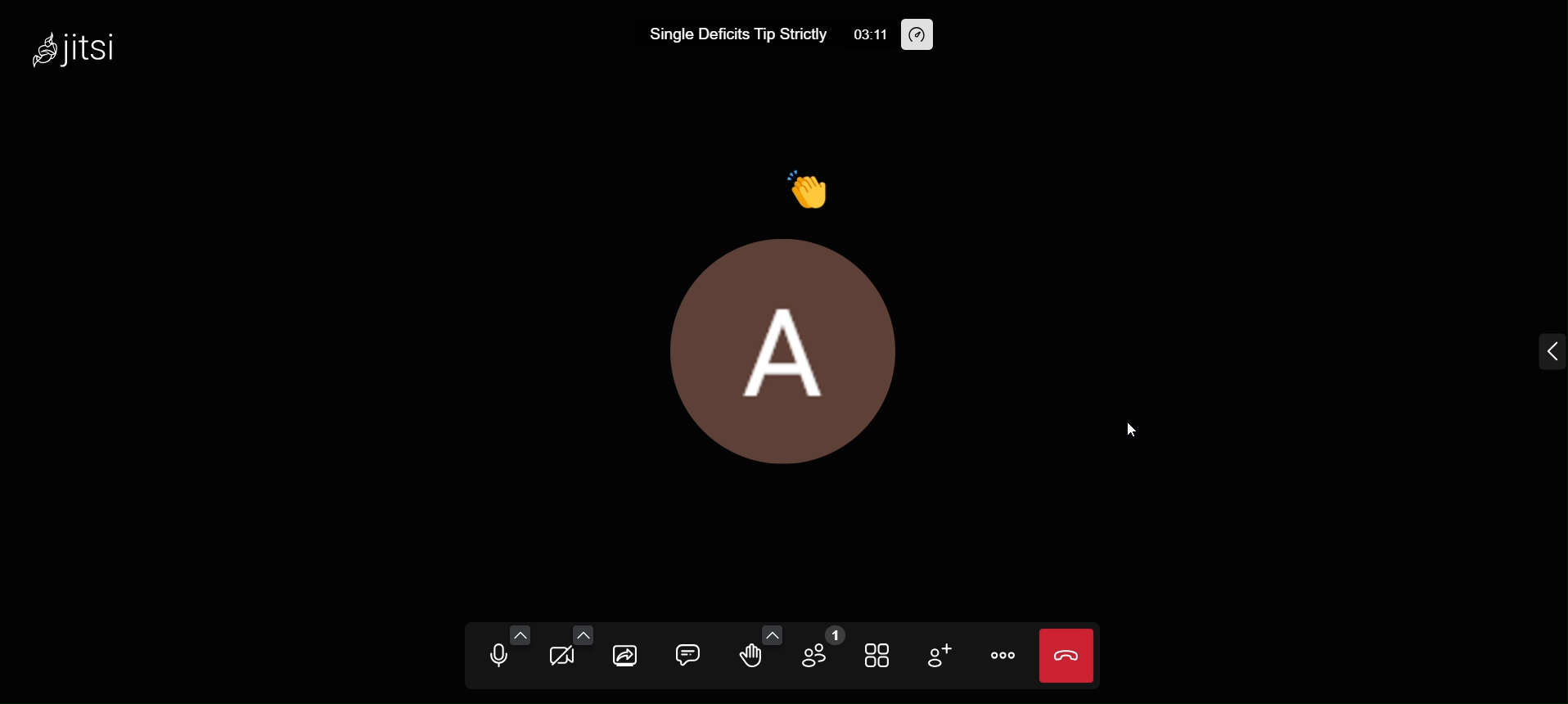 Image resolution: width=1568 pixels, height=704 pixels. Describe the element at coordinates (1130, 429) in the screenshot. I see `Cursor` at that location.